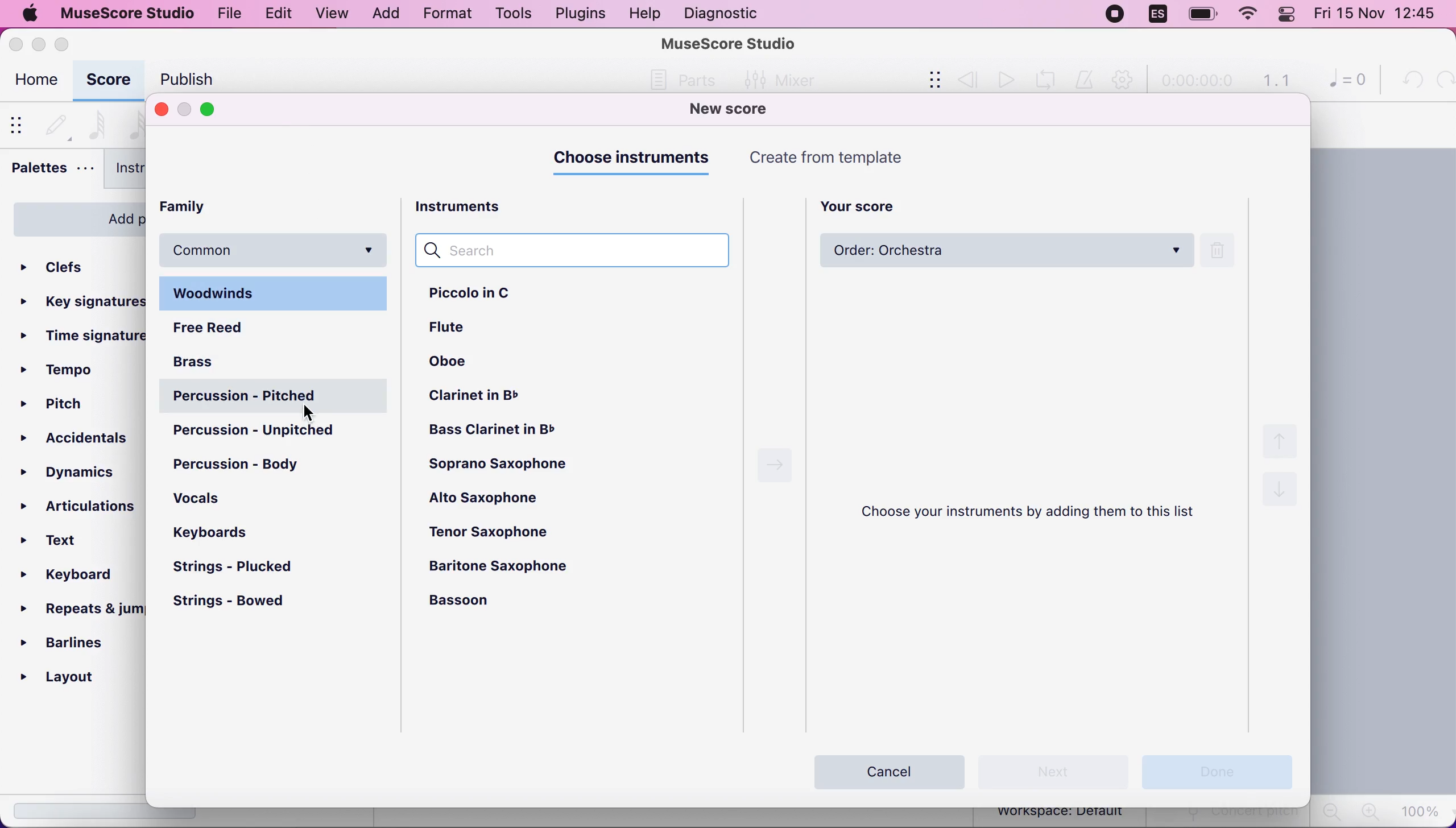 This screenshot has height=828, width=1456. What do you see at coordinates (461, 359) in the screenshot?
I see `oboe` at bounding box center [461, 359].